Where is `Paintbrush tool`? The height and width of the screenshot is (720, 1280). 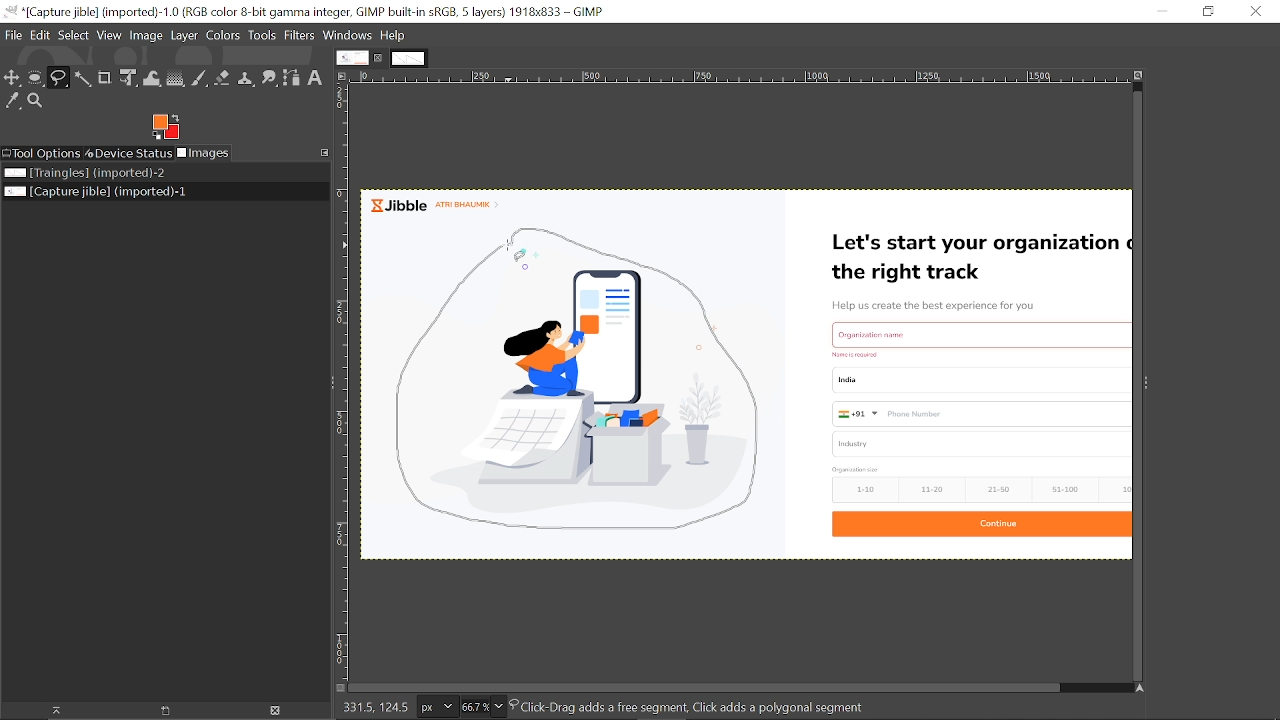 Paintbrush tool is located at coordinates (200, 78).